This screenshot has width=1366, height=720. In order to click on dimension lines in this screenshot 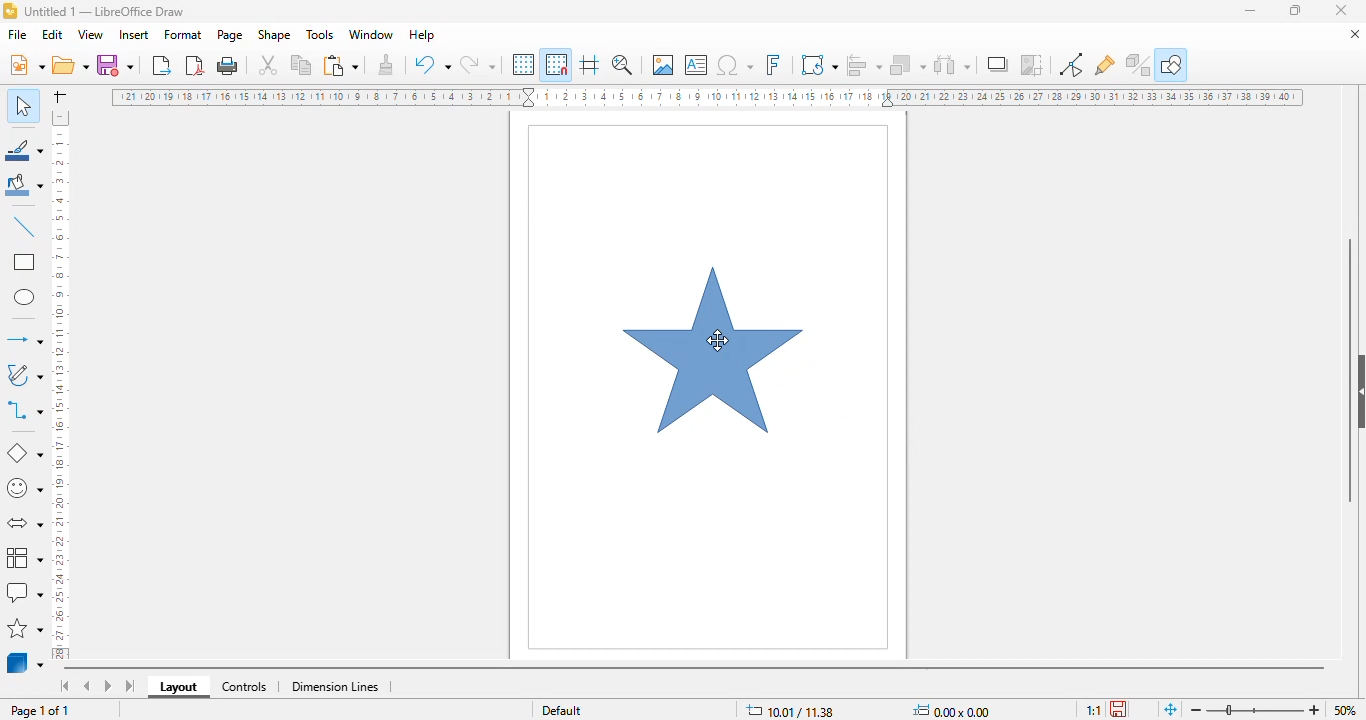, I will do `click(334, 686)`.